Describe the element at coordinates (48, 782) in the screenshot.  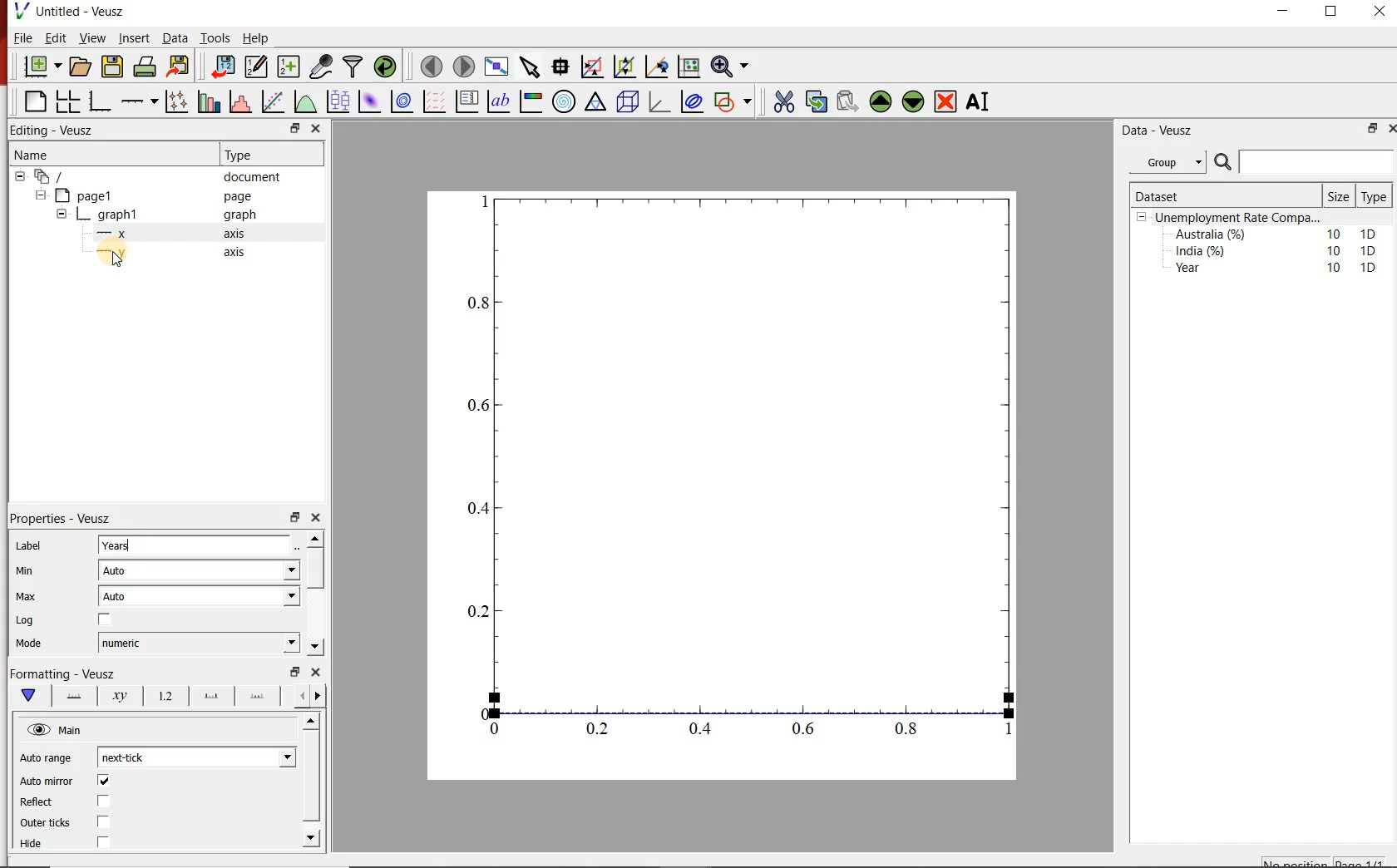
I see `Auto mirror` at that location.